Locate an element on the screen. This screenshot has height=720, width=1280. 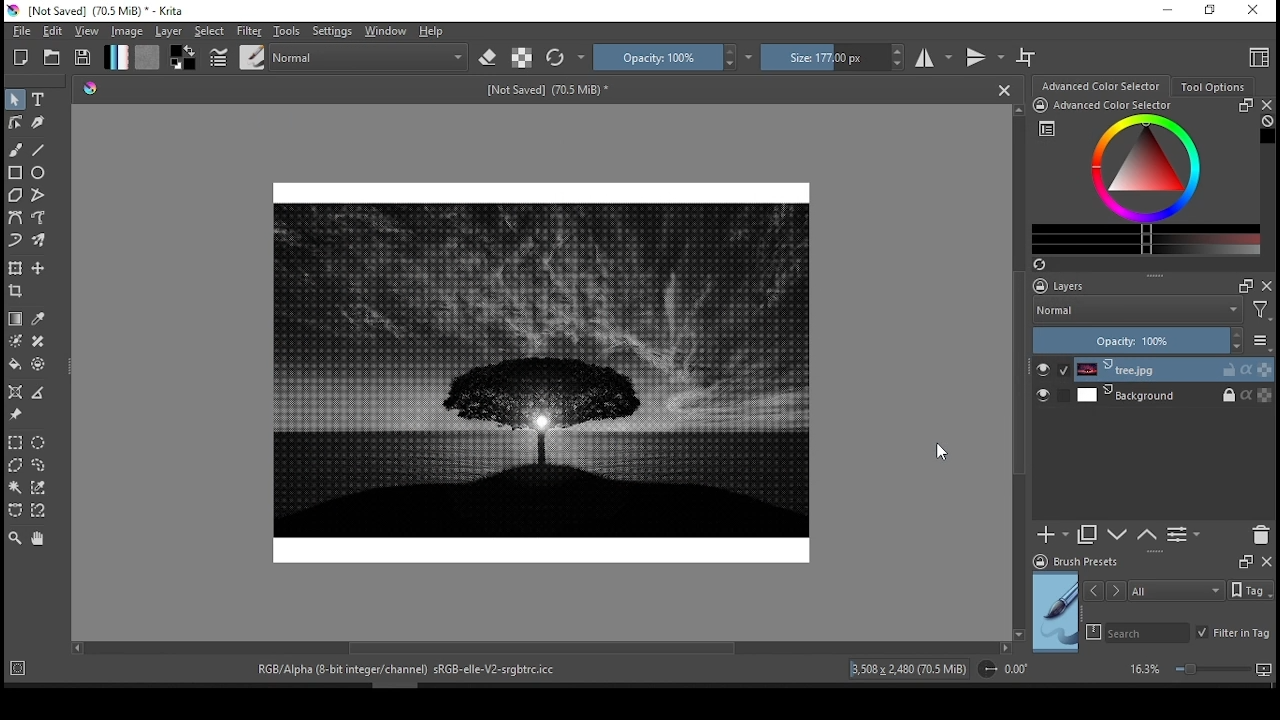
crop the image to an area is located at coordinates (15, 292).